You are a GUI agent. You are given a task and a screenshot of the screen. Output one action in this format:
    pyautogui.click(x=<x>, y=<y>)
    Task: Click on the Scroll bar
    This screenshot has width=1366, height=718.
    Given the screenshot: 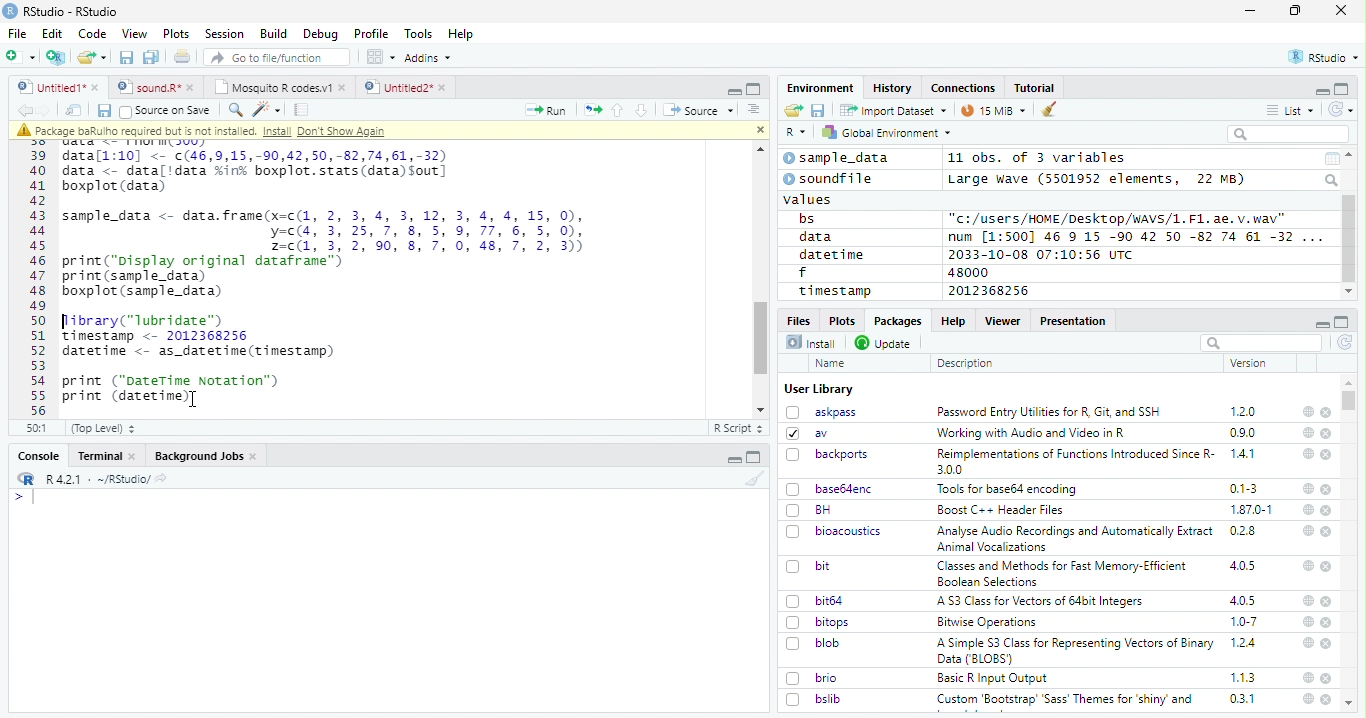 What is the action you would take?
    pyautogui.click(x=1350, y=239)
    